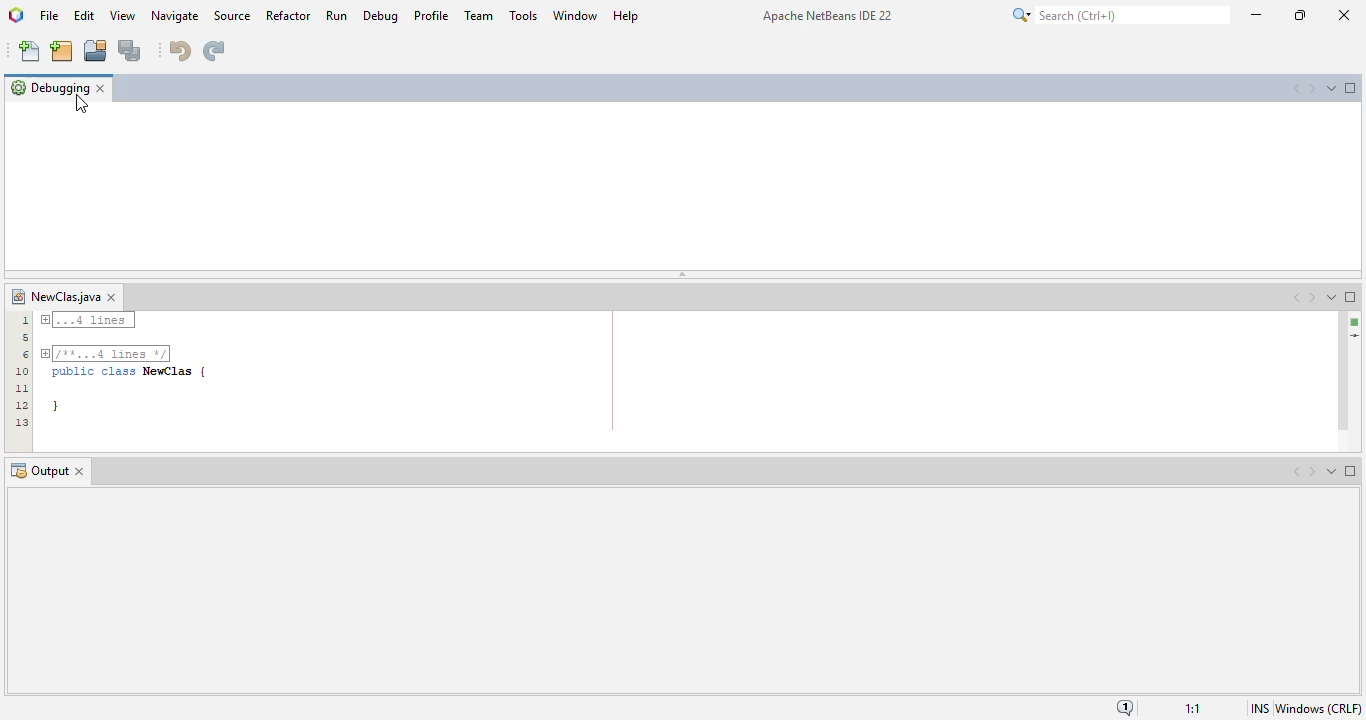  I want to click on output, so click(39, 471).